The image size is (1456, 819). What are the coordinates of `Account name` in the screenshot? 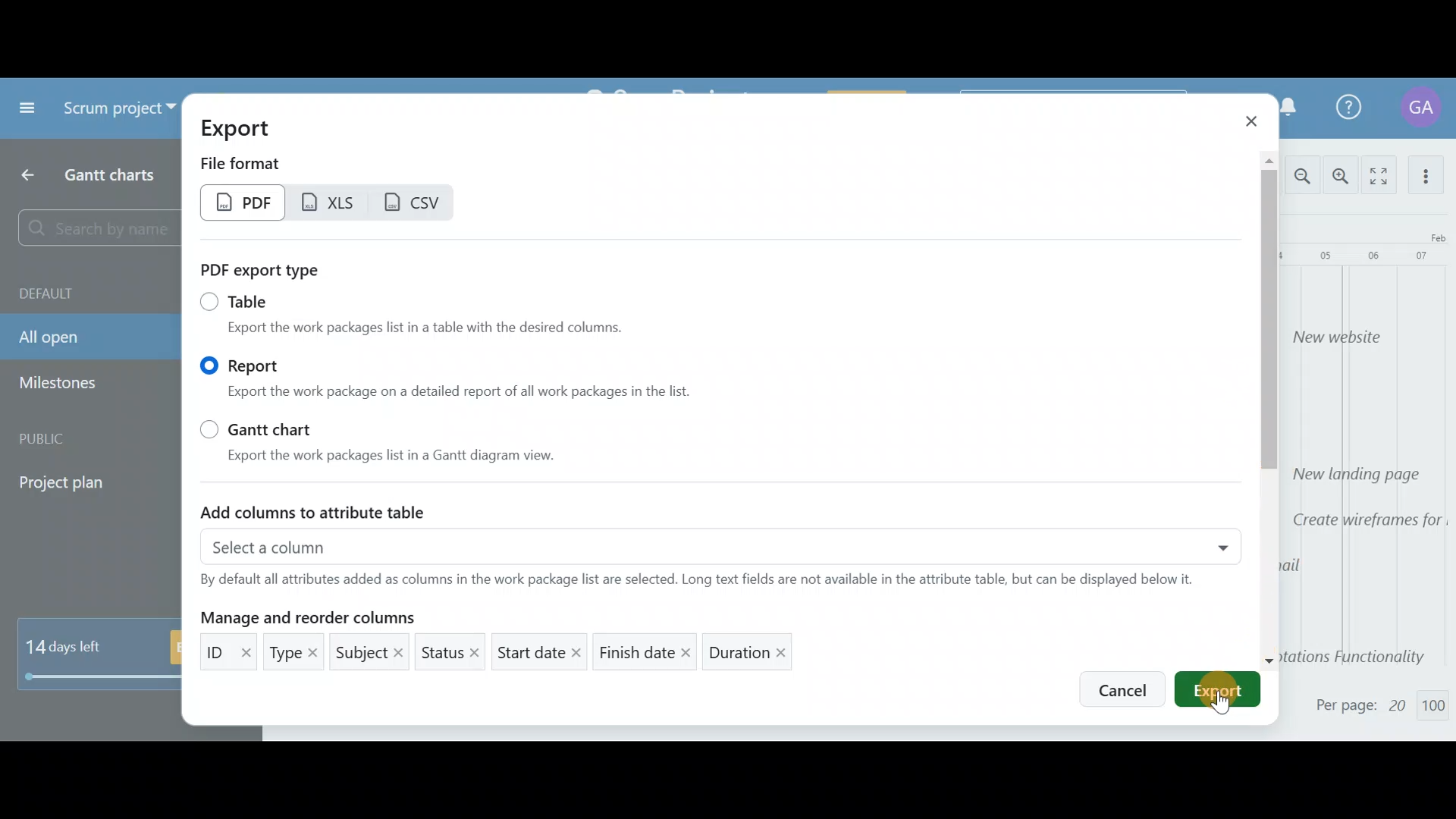 It's located at (1423, 111).